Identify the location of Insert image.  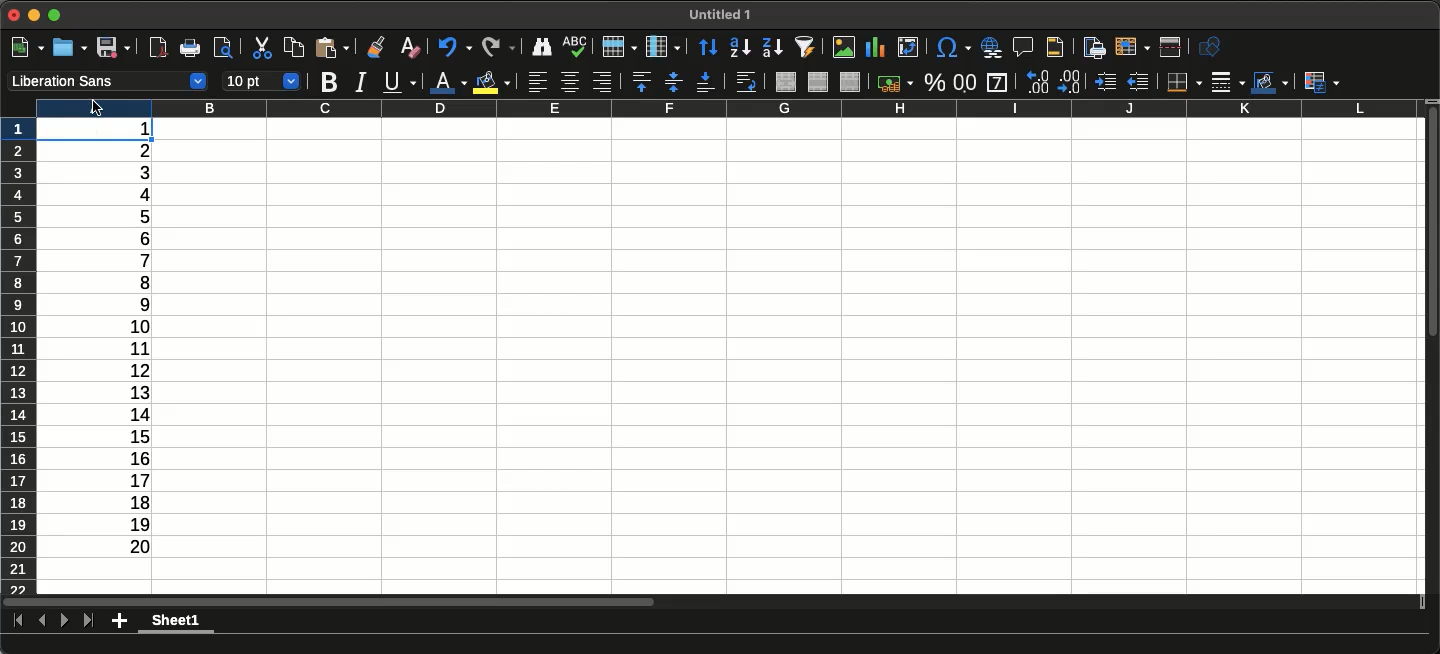
(842, 47).